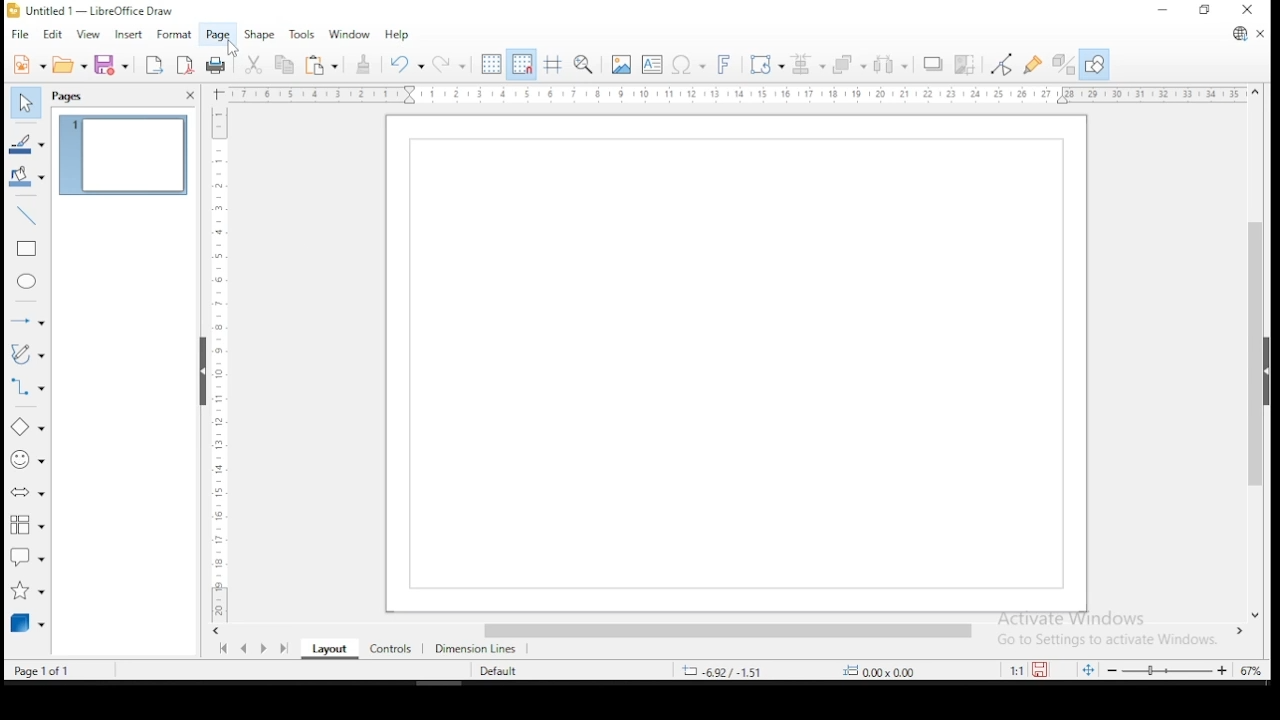 This screenshot has width=1280, height=720. Describe the element at coordinates (55, 35) in the screenshot. I see `edit` at that location.